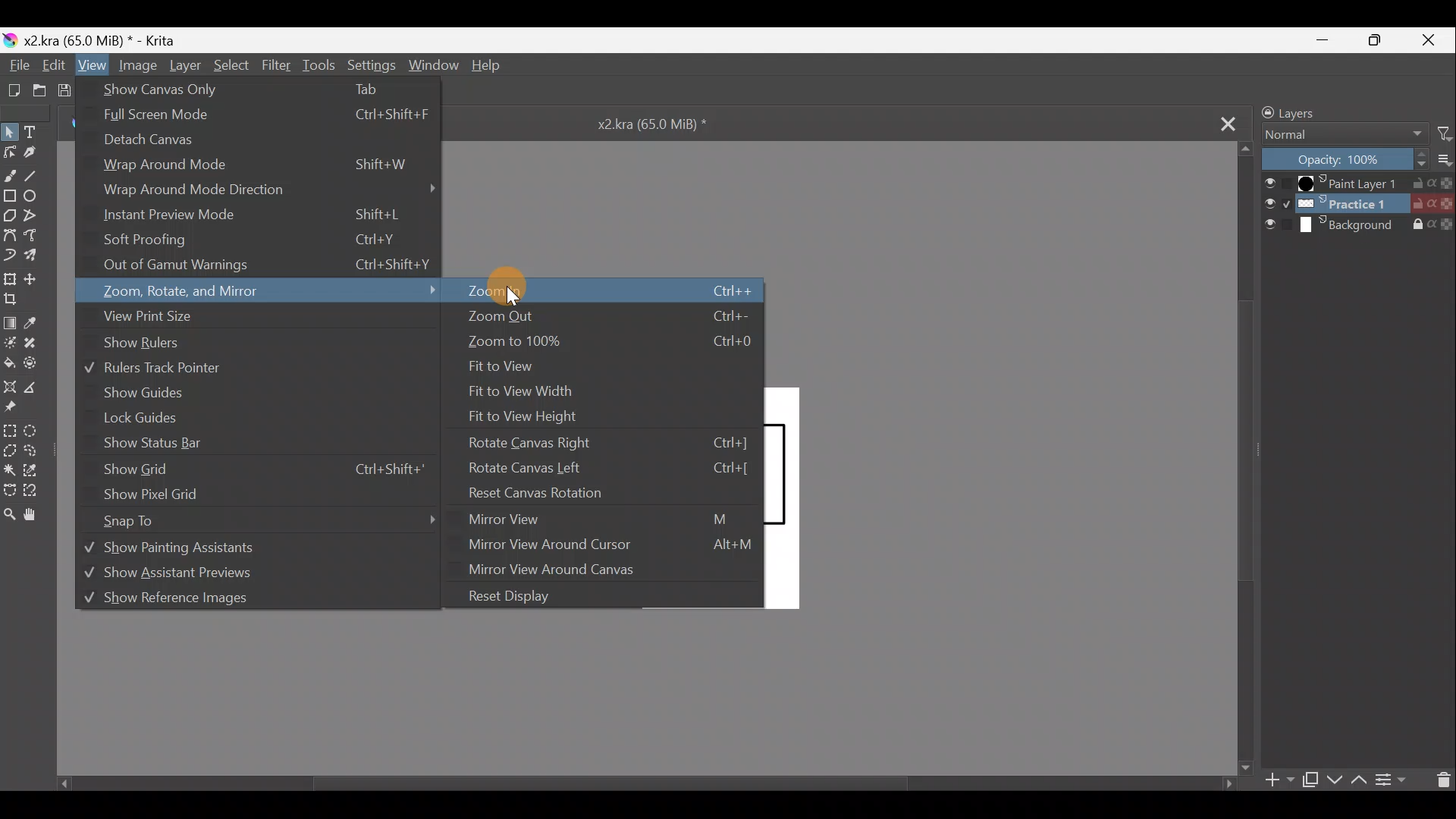 This screenshot has width=1456, height=819. Describe the element at coordinates (10, 154) in the screenshot. I see `Edit shapes tool` at that location.